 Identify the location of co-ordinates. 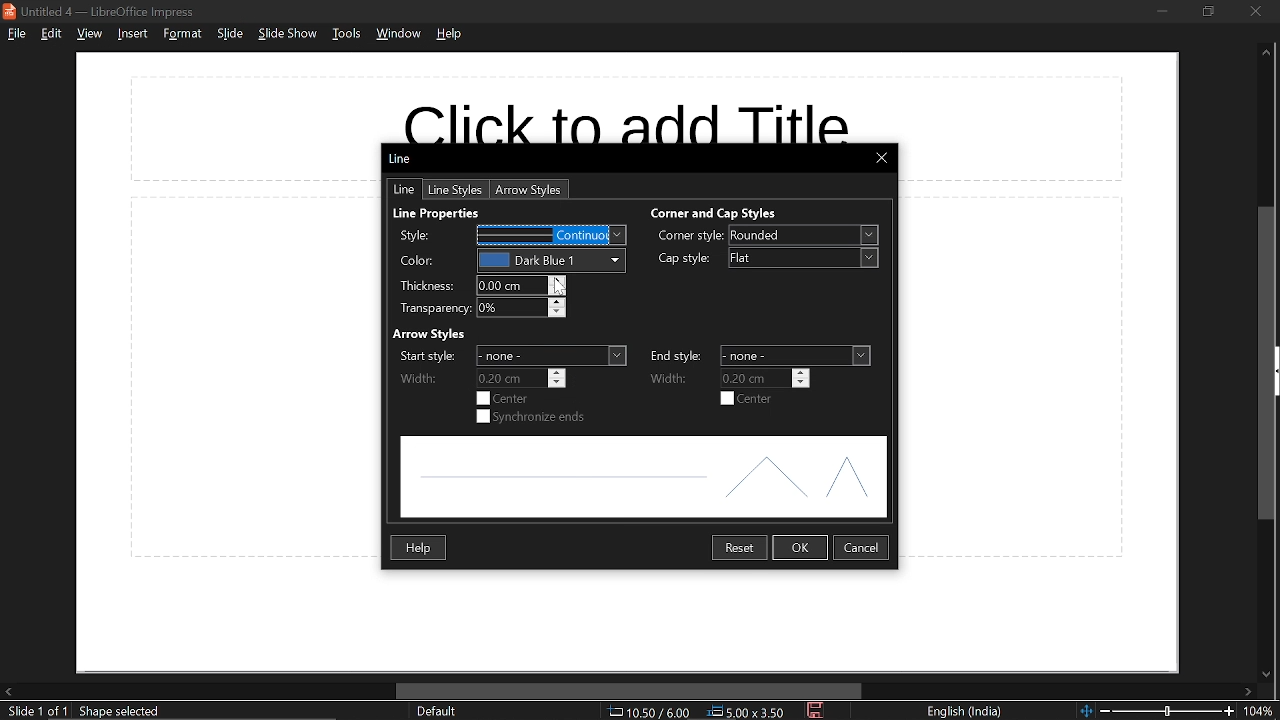
(648, 712).